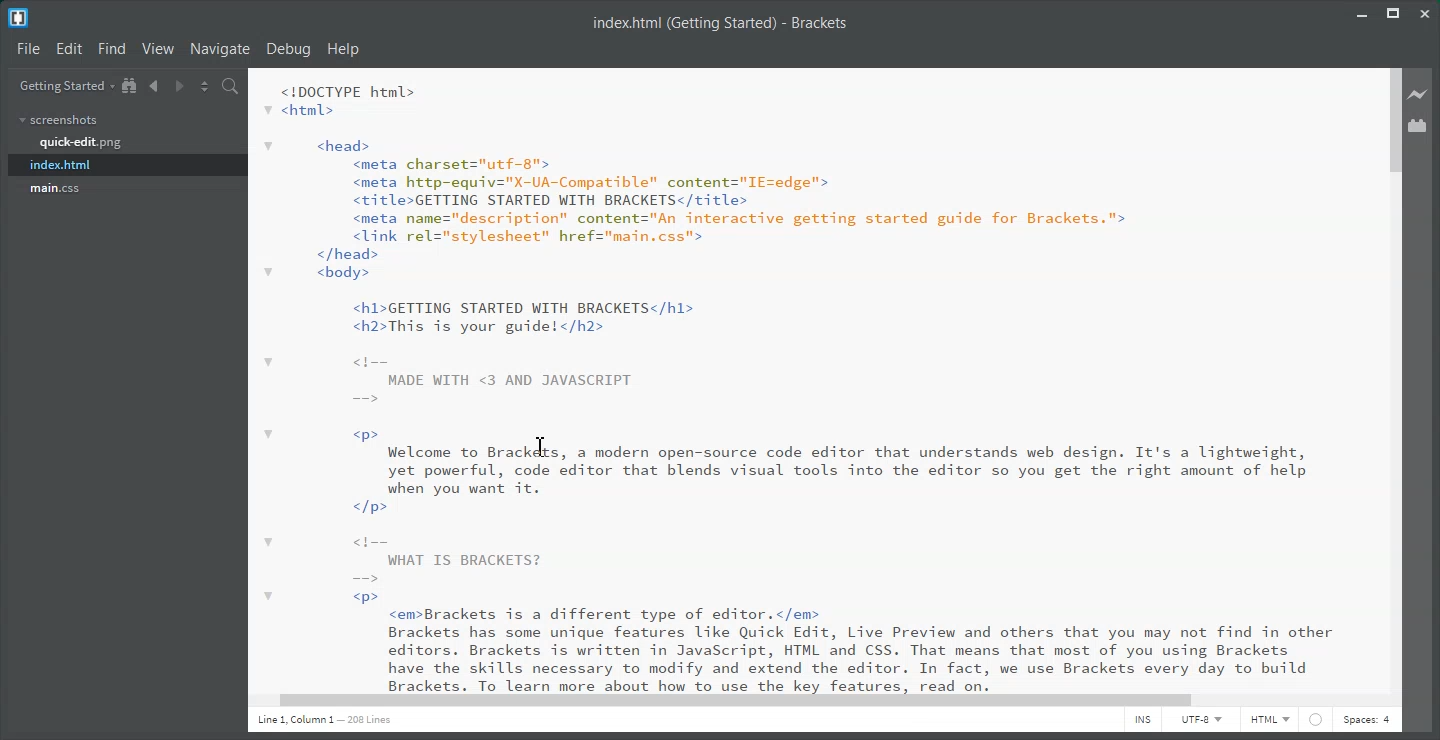 The width and height of the screenshot is (1440, 740). What do you see at coordinates (220, 49) in the screenshot?
I see `Navigate` at bounding box center [220, 49].